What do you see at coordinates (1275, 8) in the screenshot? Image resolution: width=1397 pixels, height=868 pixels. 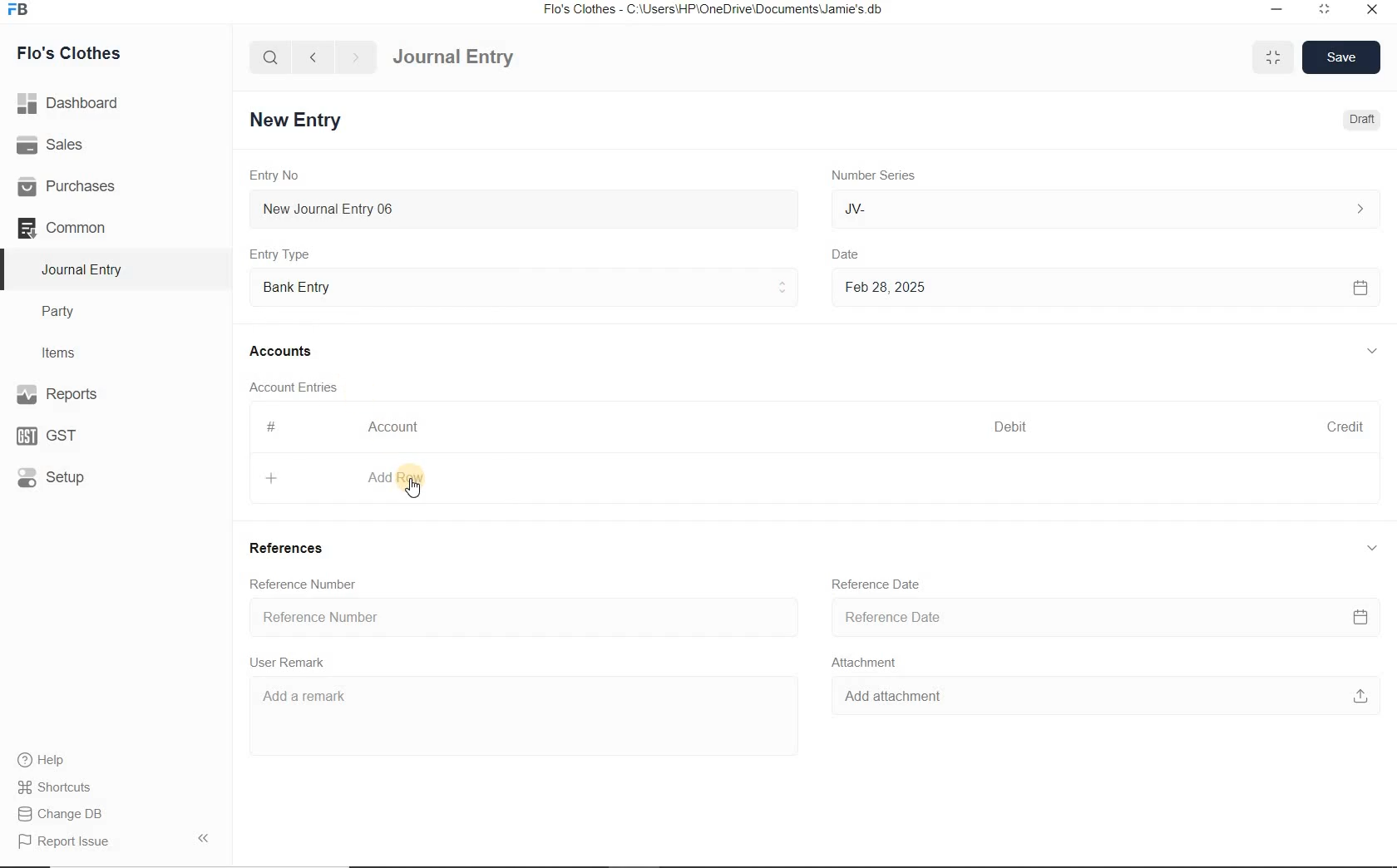 I see `minimize` at bounding box center [1275, 8].